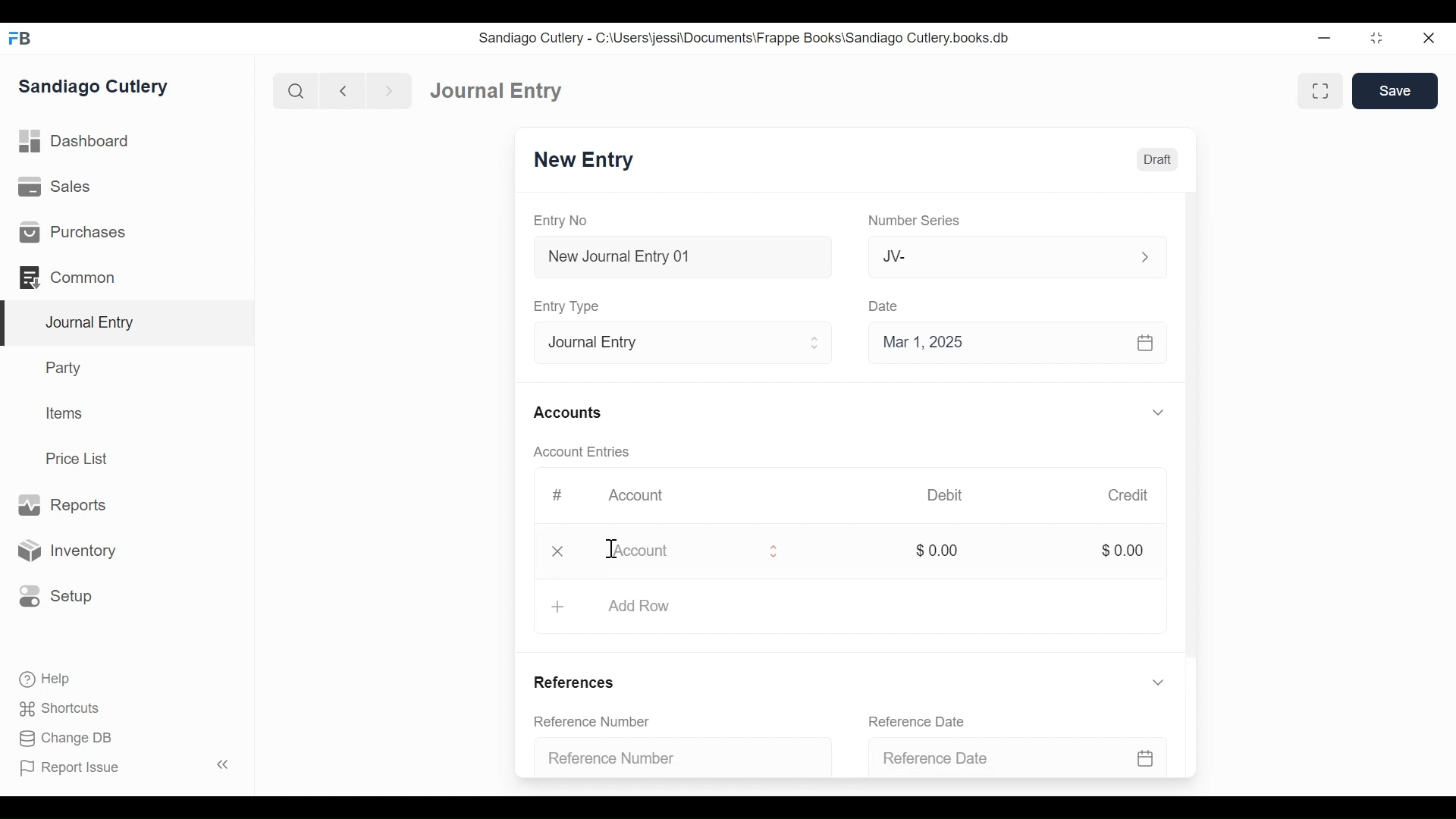 The height and width of the screenshot is (819, 1456). What do you see at coordinates (912, 221) in the screenshot?
I see `Number Series` at bounding box center [912, 221].